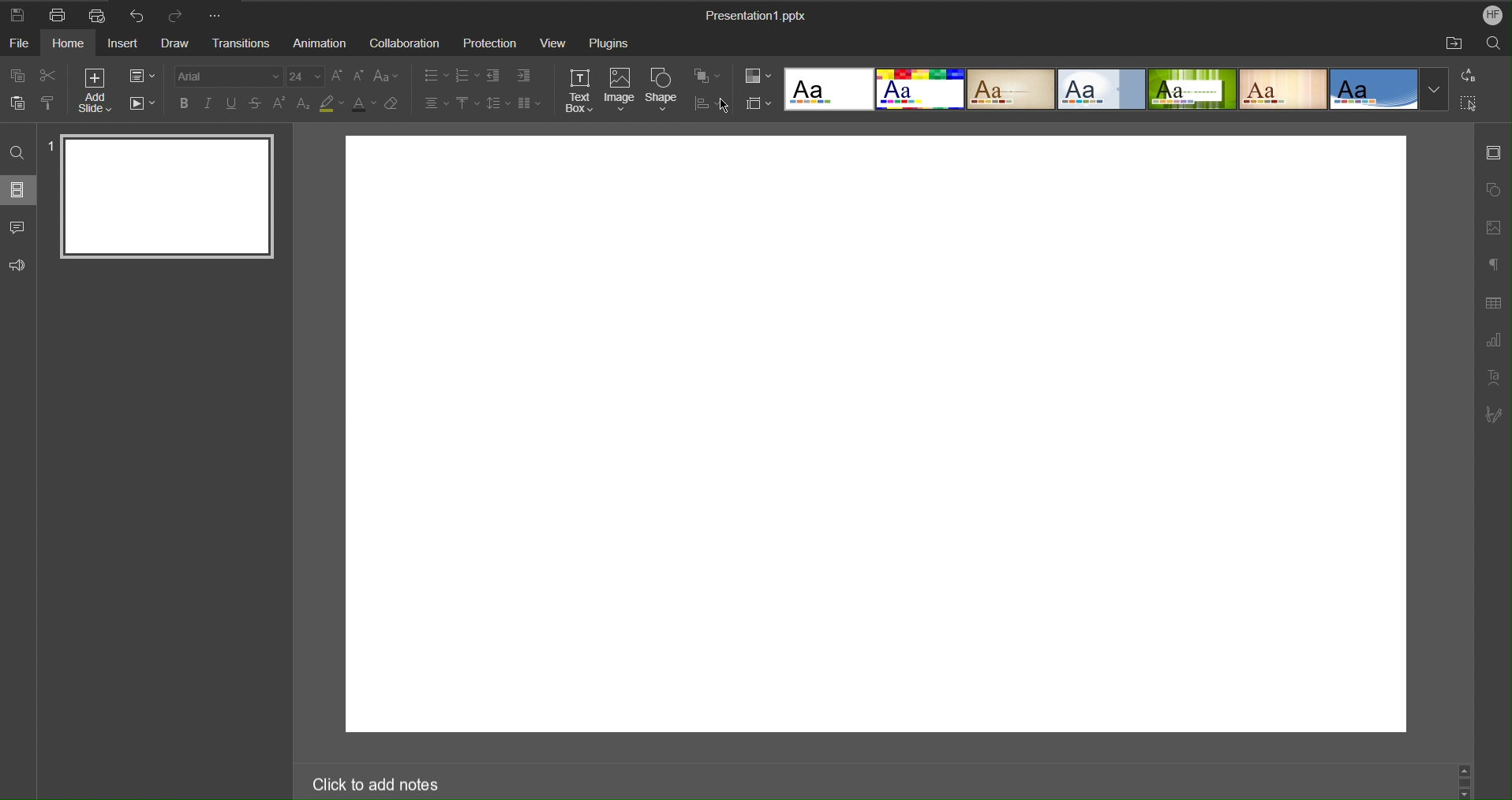 This screenshot has height=800, width=1512. I want to click on Account, so click(1494, 15).